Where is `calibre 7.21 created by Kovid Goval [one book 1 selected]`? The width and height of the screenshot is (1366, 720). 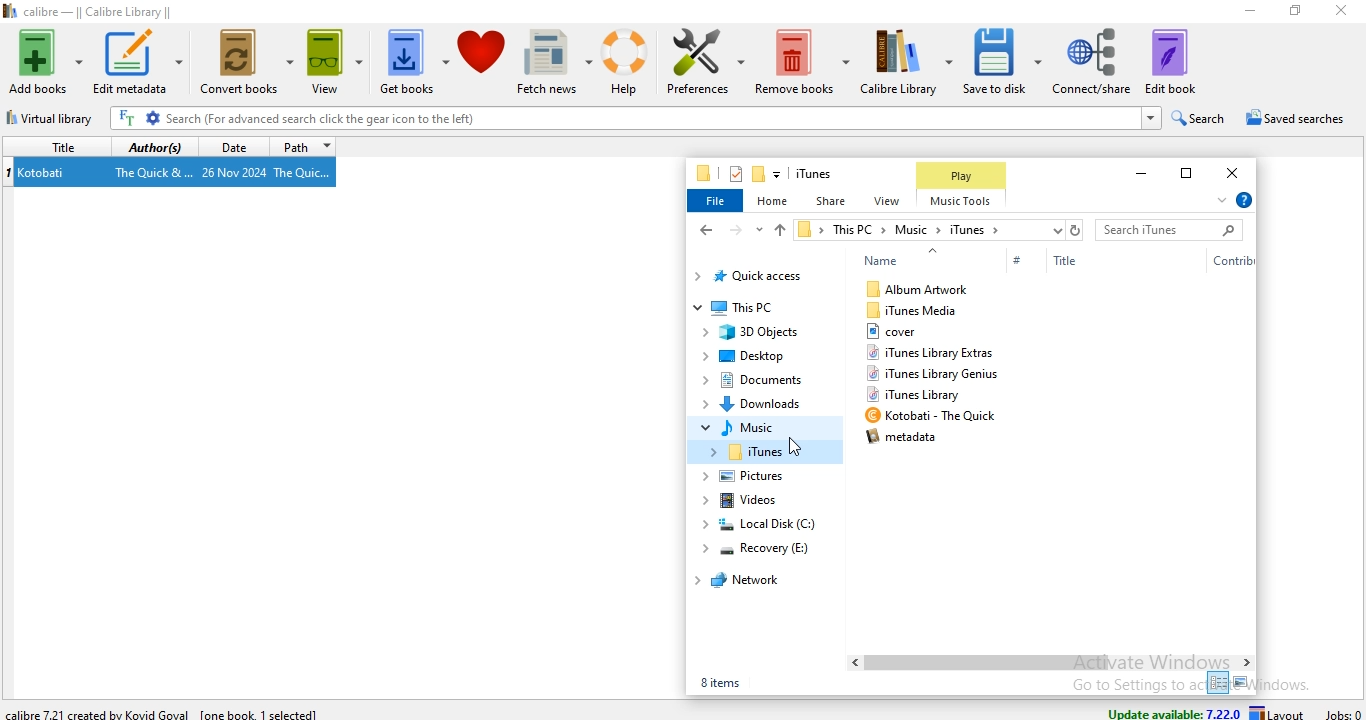 calibre 7.21 created by Kovid Goval [one book 1 selected] is located at coordinates (164, 710).